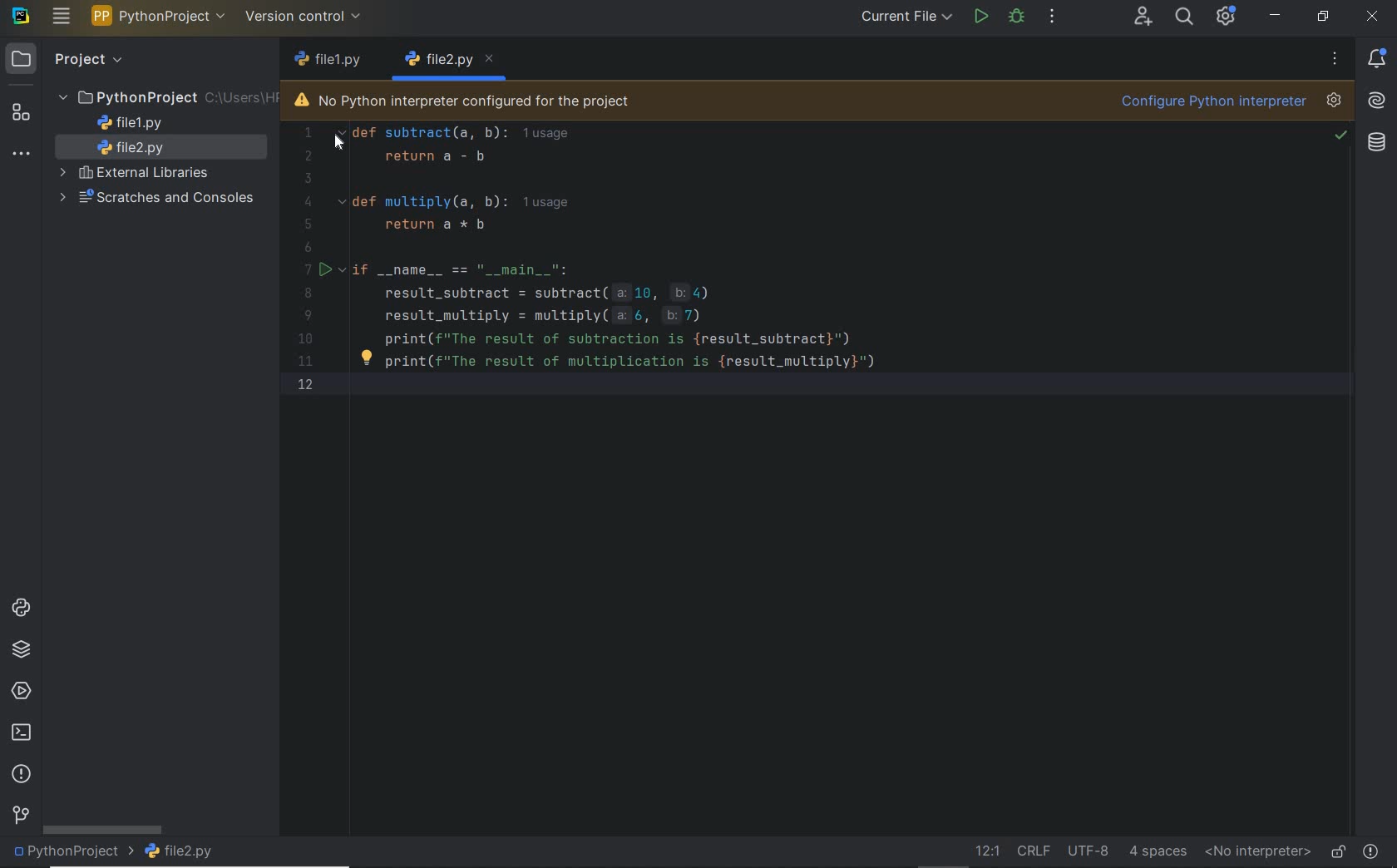  Describe the element at coordinates (1340, 137) in the screenshot. I see `no problem` at that location.